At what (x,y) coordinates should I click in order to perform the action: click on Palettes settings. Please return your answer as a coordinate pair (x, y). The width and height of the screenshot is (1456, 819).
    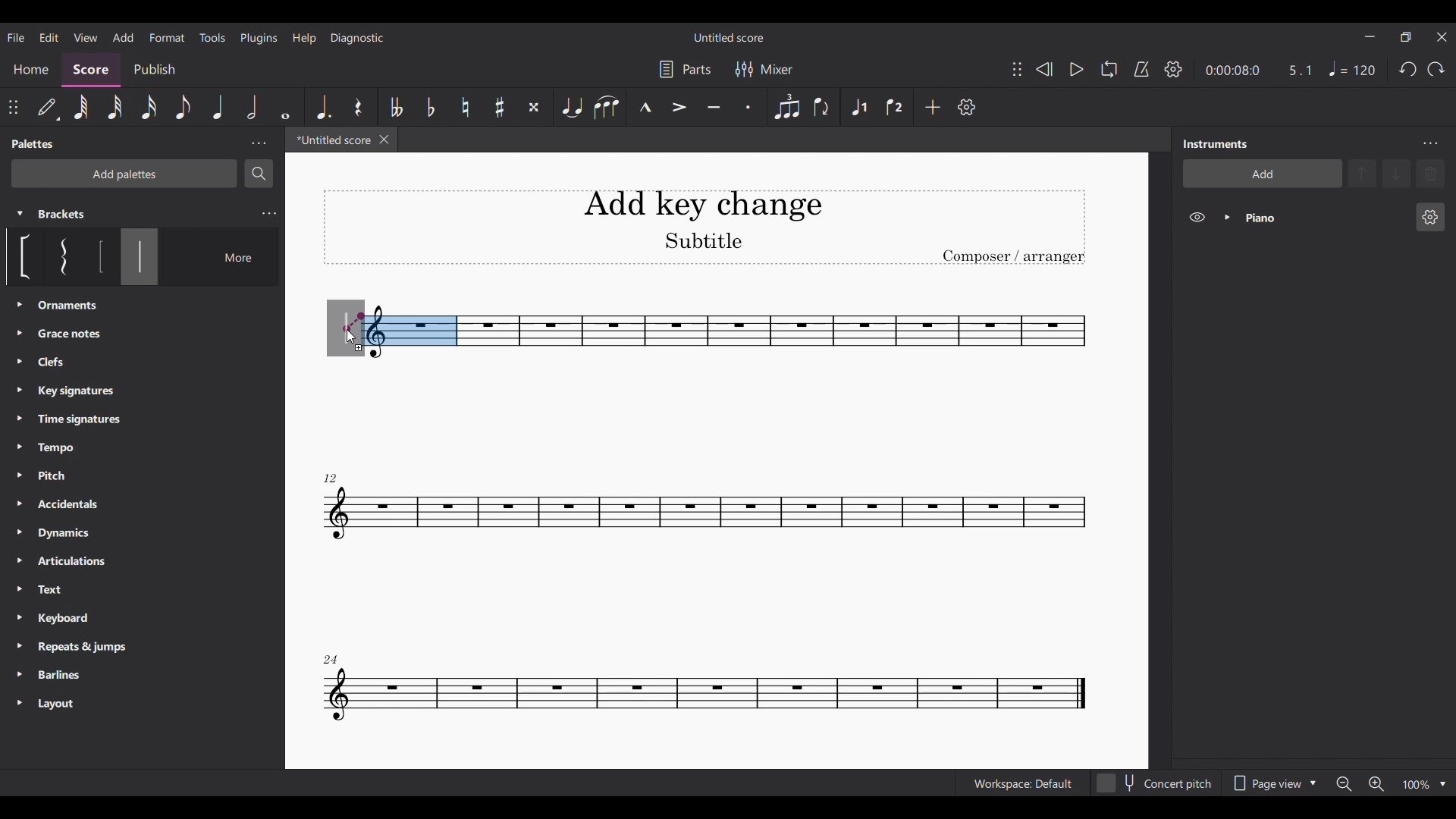
    Looking at the image, I should click on (259, 143).